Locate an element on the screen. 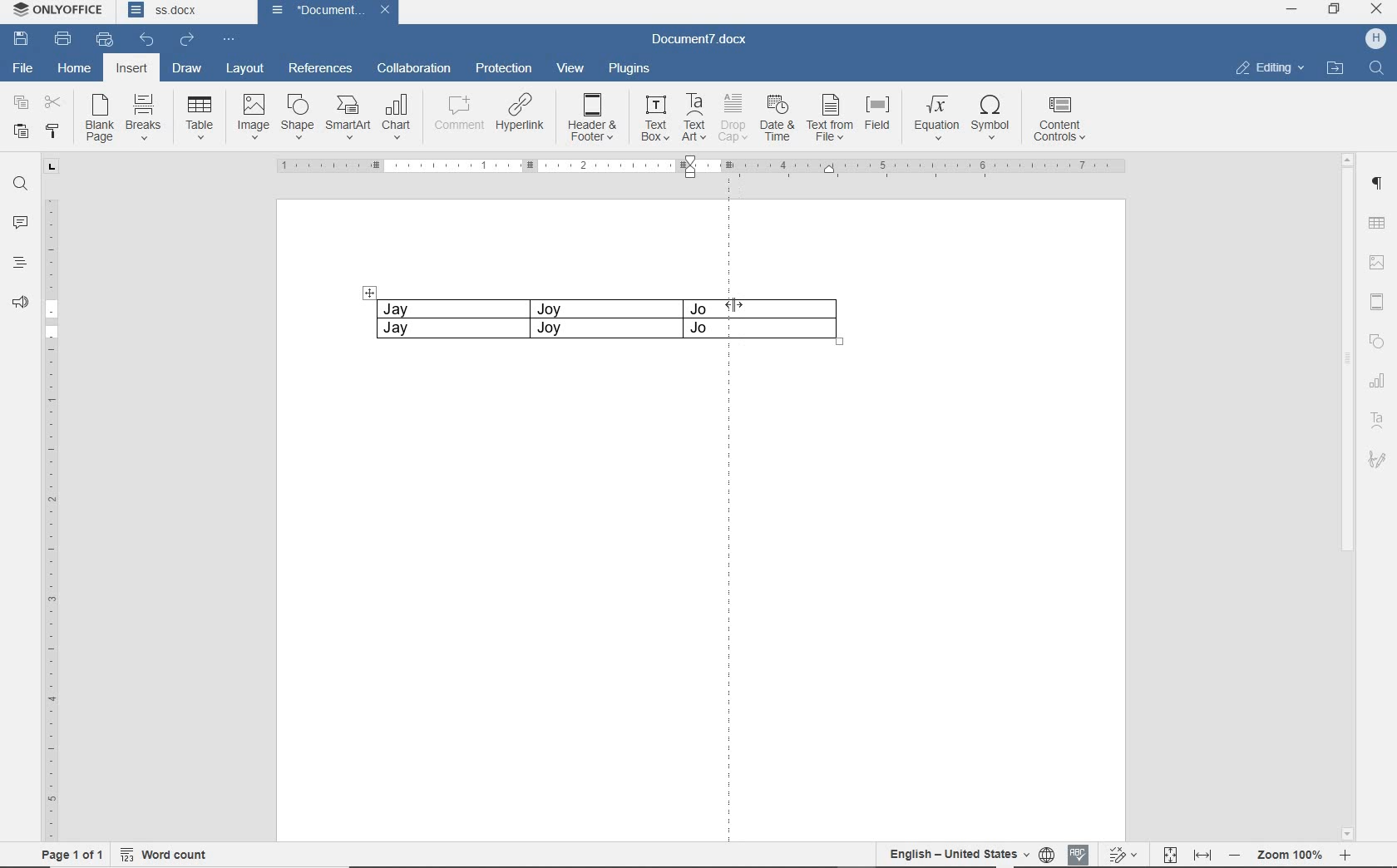  SMARTART is located at coordinates (347, 118).